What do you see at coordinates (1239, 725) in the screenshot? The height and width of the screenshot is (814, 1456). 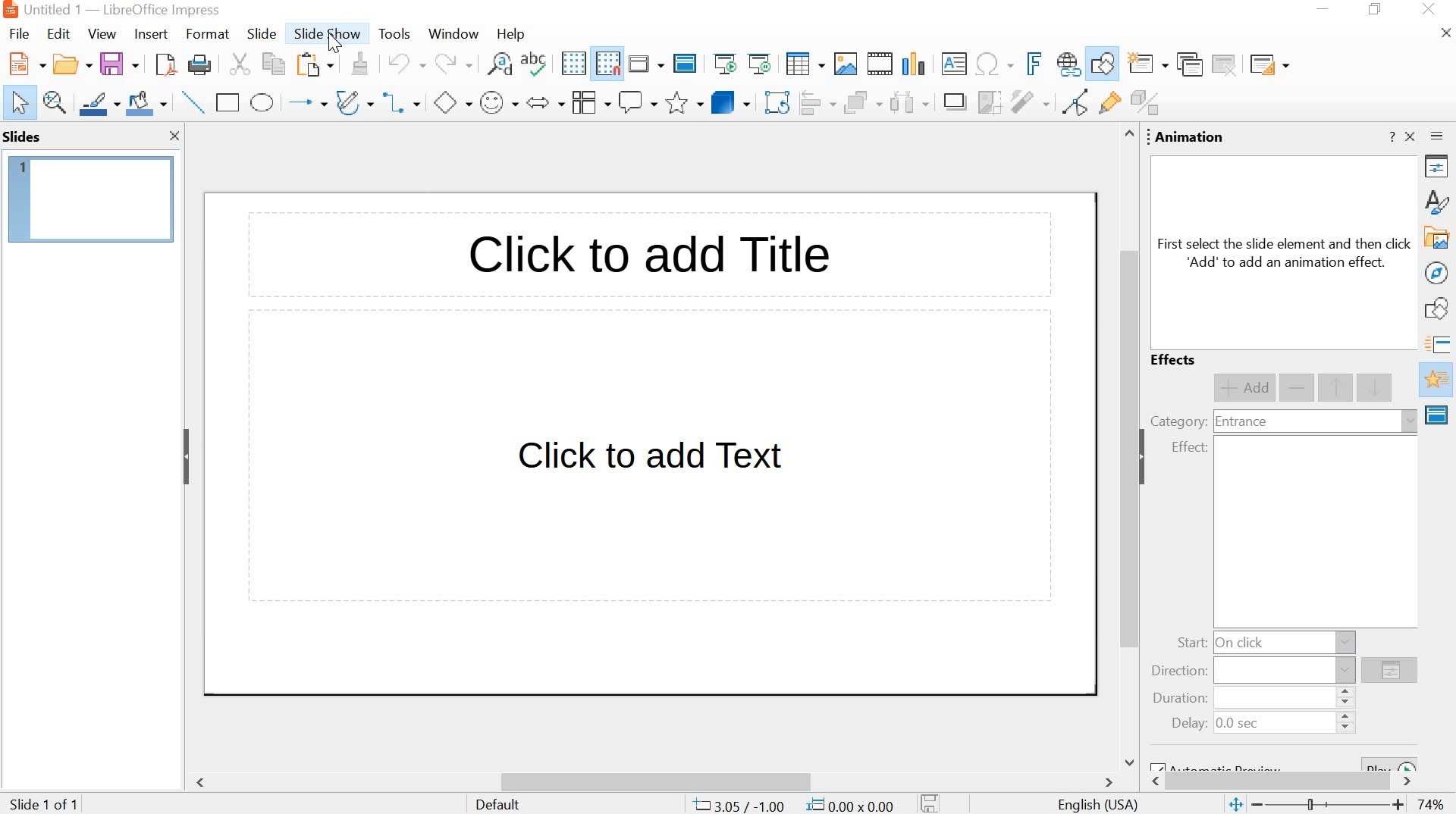 I see `0.0 sec` at bounding box center [1239, 725].